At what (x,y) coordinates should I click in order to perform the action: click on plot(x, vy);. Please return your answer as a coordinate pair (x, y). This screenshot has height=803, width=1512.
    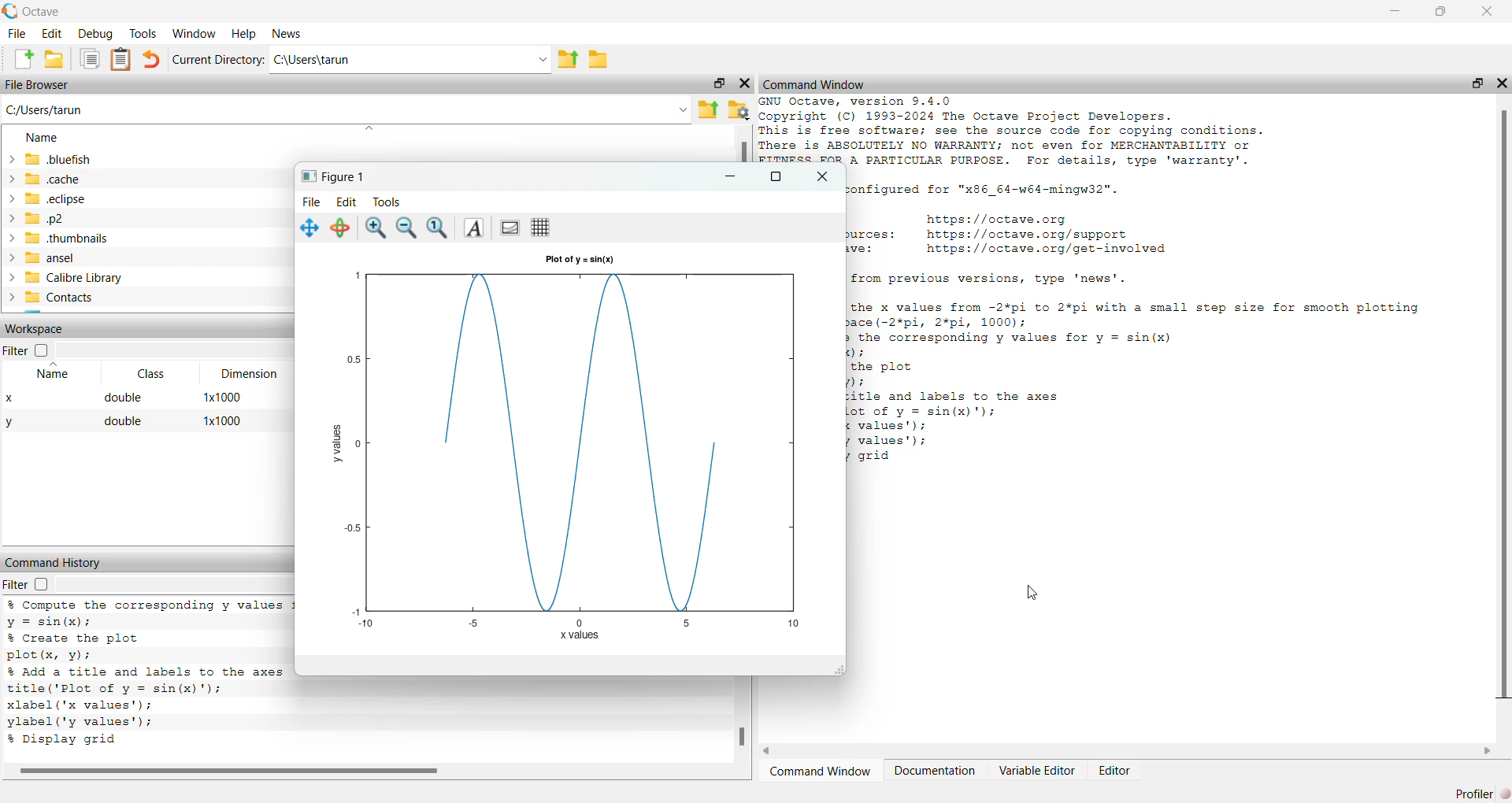
    Looking at the image, I should click on (53, 656).